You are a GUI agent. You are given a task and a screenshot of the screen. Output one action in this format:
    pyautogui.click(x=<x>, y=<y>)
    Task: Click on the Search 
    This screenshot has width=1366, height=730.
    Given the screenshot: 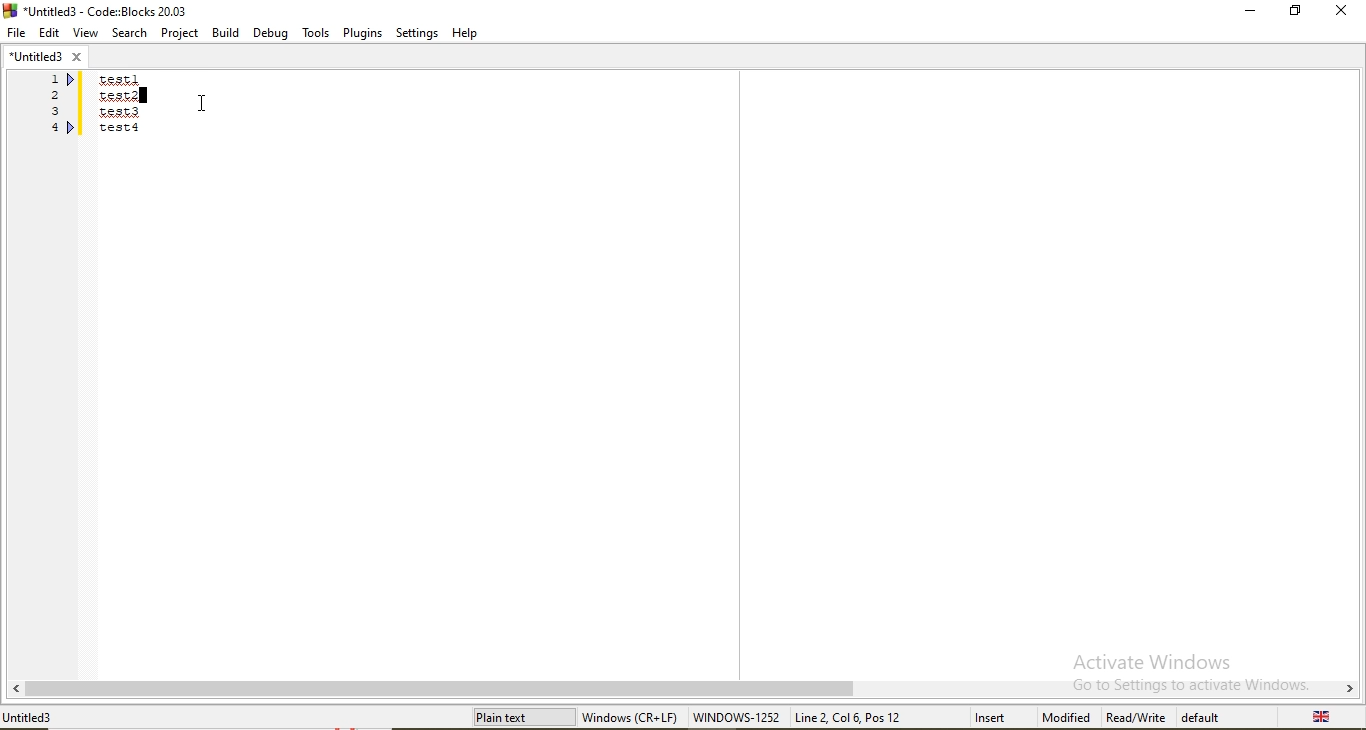 What is the action you would take?
    pyautogui.click(x=127, y=32)
    